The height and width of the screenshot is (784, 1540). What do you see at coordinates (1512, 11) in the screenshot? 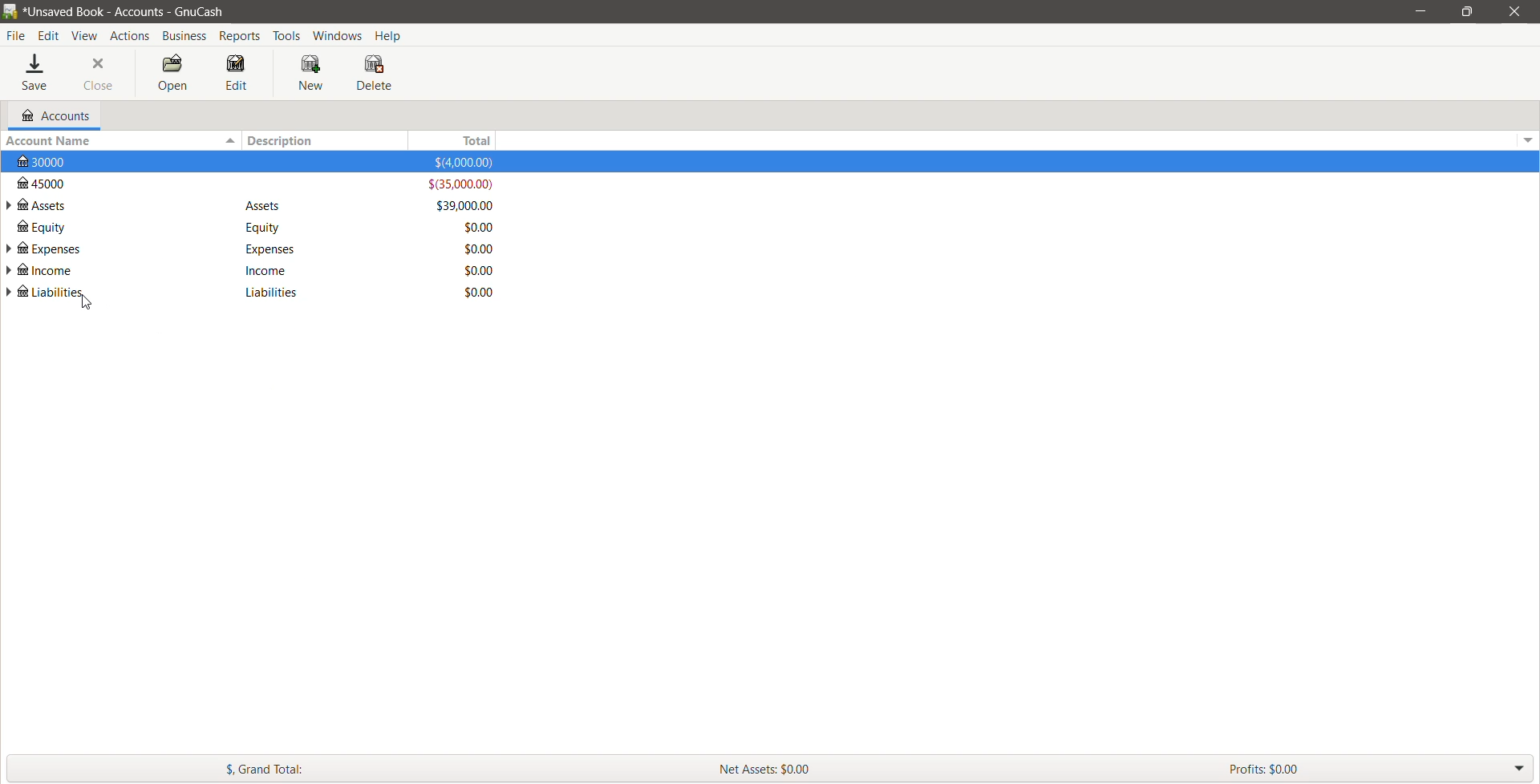
I see `Close` at bounding box center [1512, 11].